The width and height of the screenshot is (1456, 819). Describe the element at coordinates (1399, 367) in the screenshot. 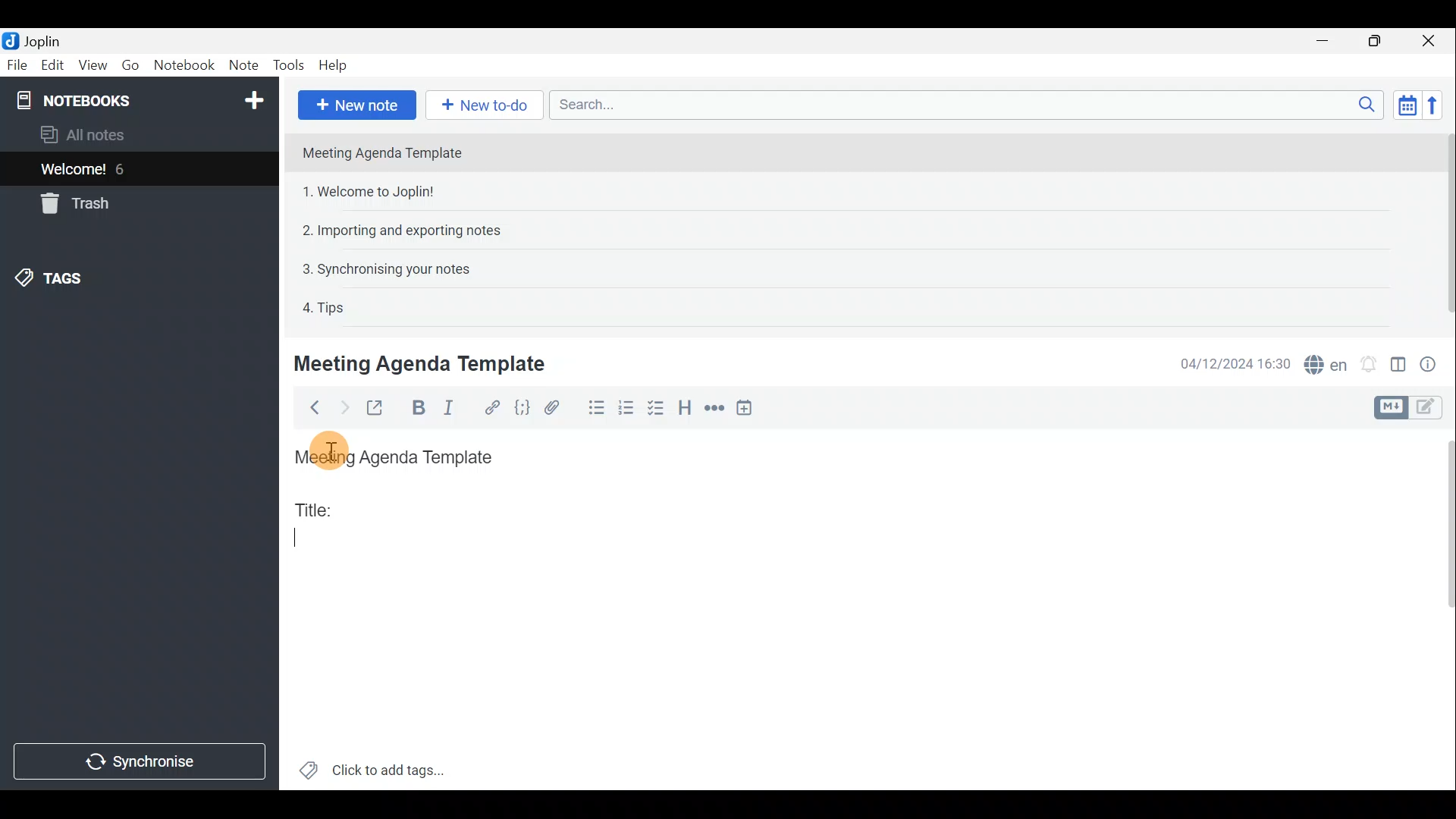

I see `Toggle editor layout` at that location.